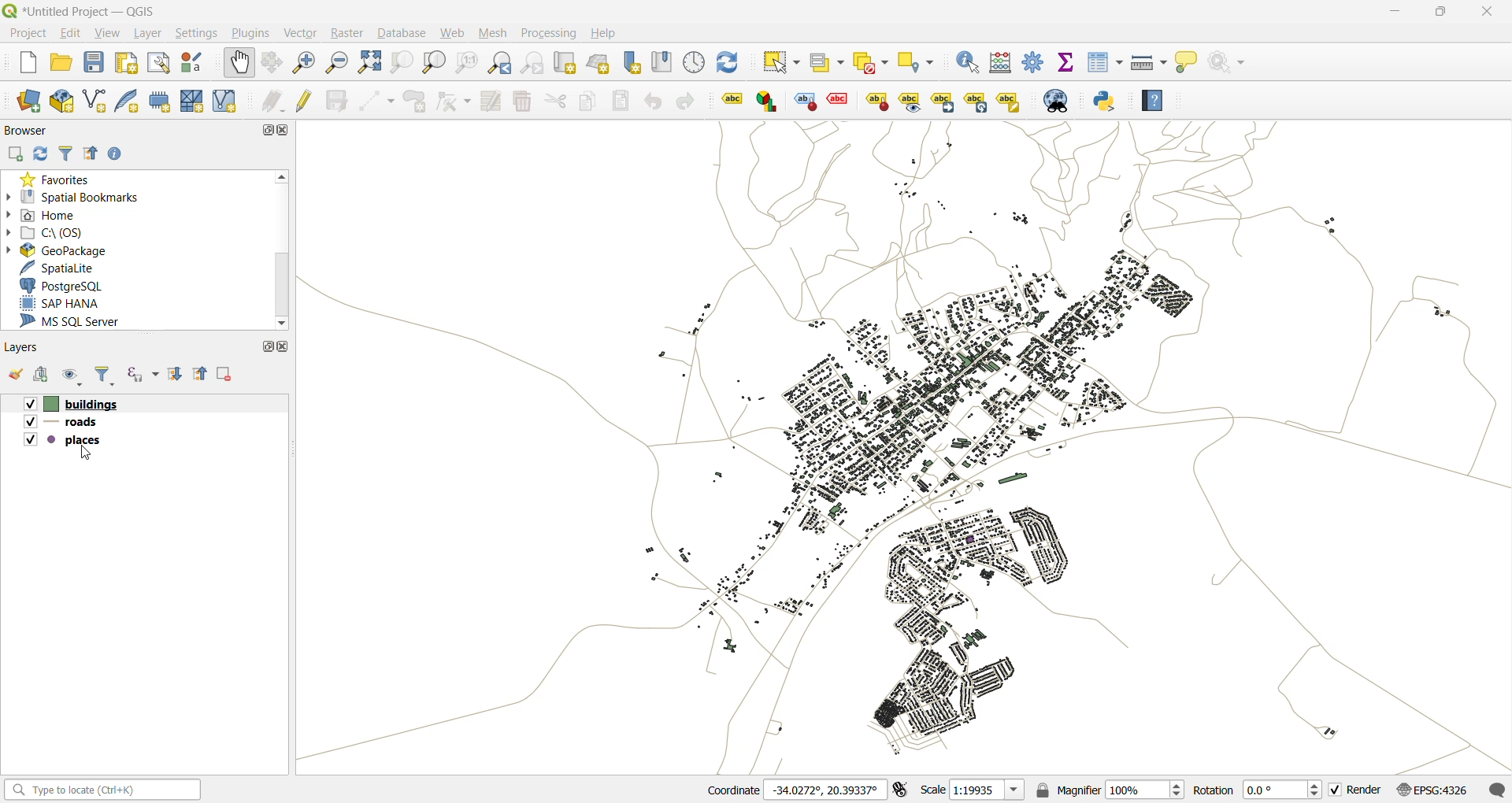 This screenshot has height=803, width=1512. What do you see at coordinates (664, 61) in the screenshot?
I see `show spatial bookmark` at bounding box center [664, 61].